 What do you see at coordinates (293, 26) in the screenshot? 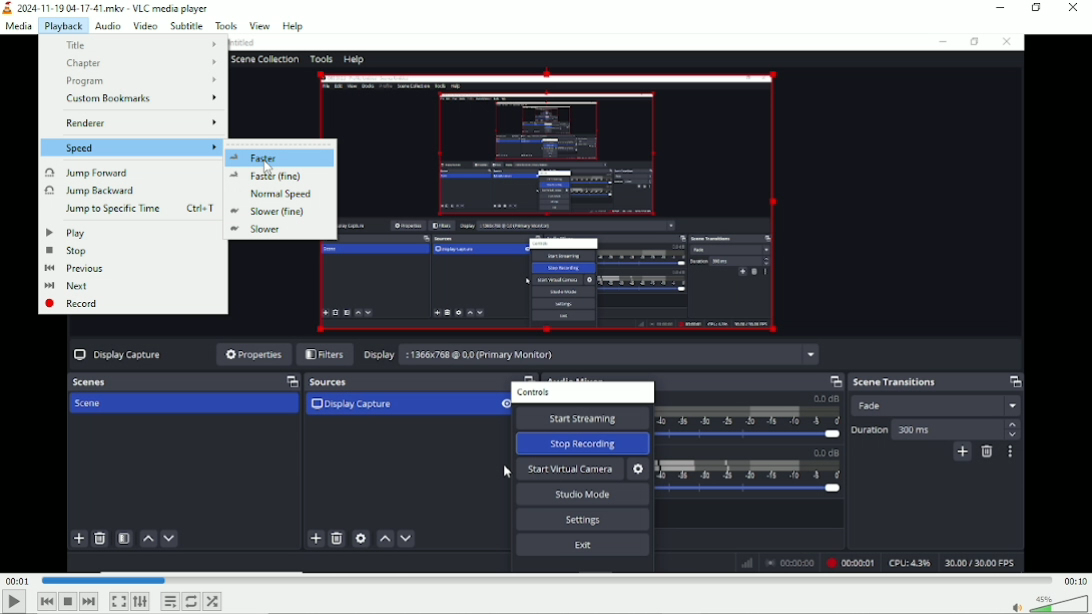
I see `help` at bounding box center [293, 26].